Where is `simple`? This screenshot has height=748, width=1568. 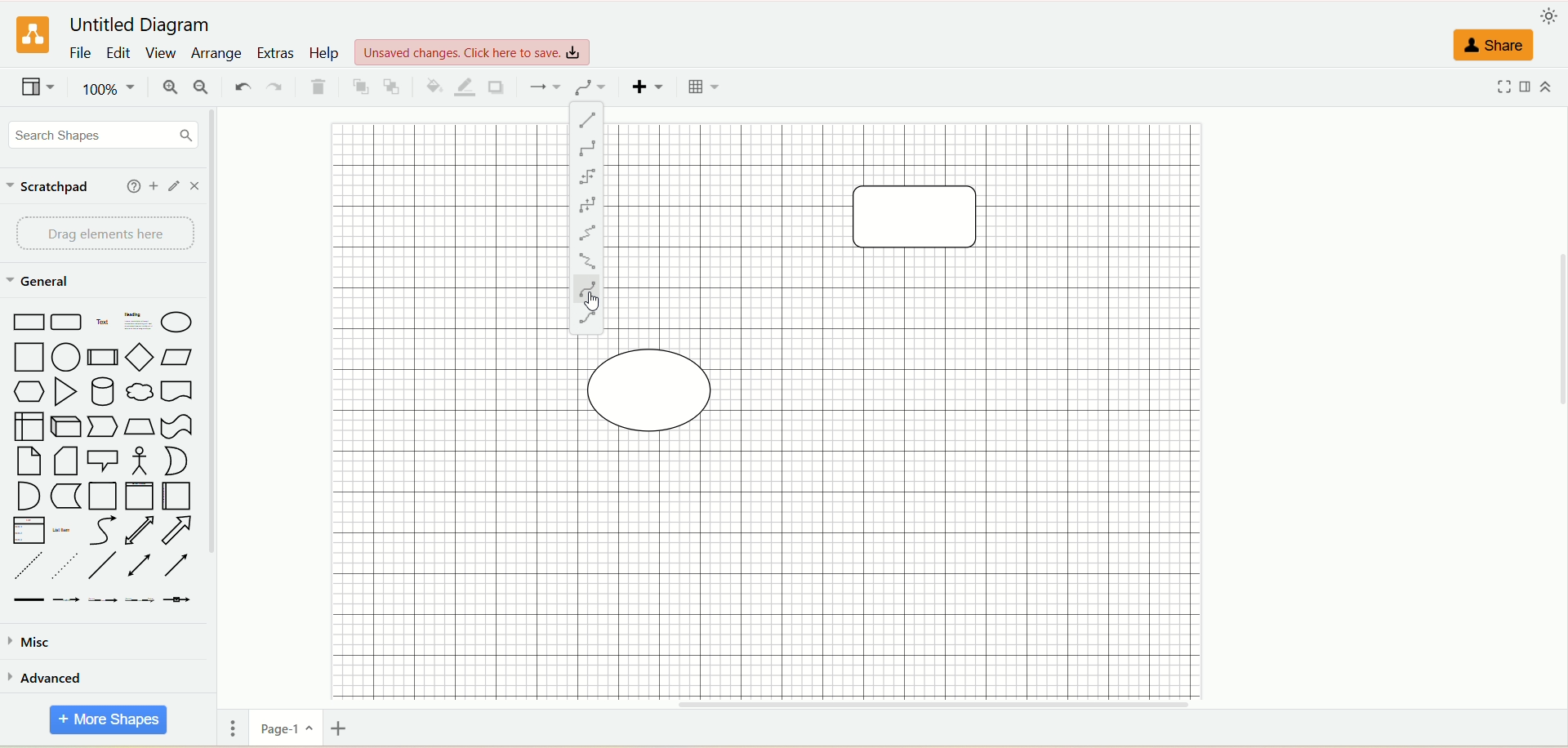
simple is located at coordinates (589, 201).